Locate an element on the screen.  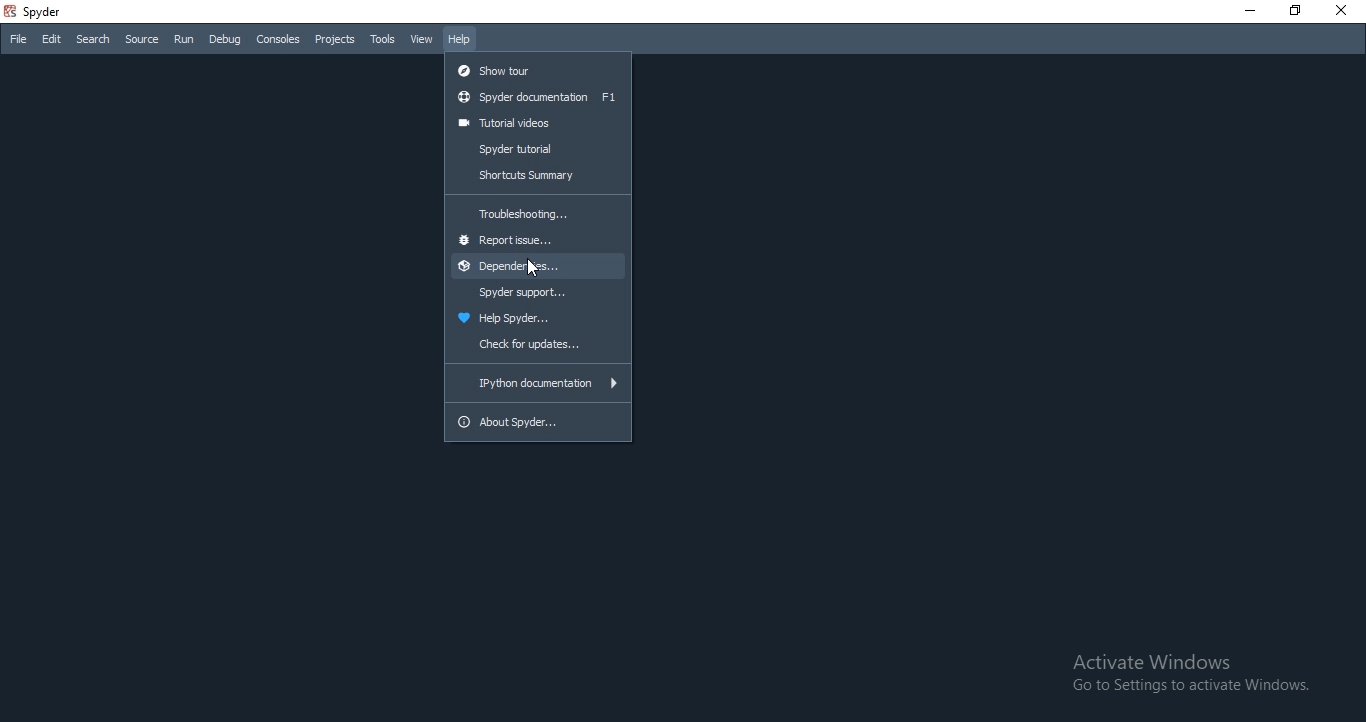
Restore is located at coordinates (1297, 12).